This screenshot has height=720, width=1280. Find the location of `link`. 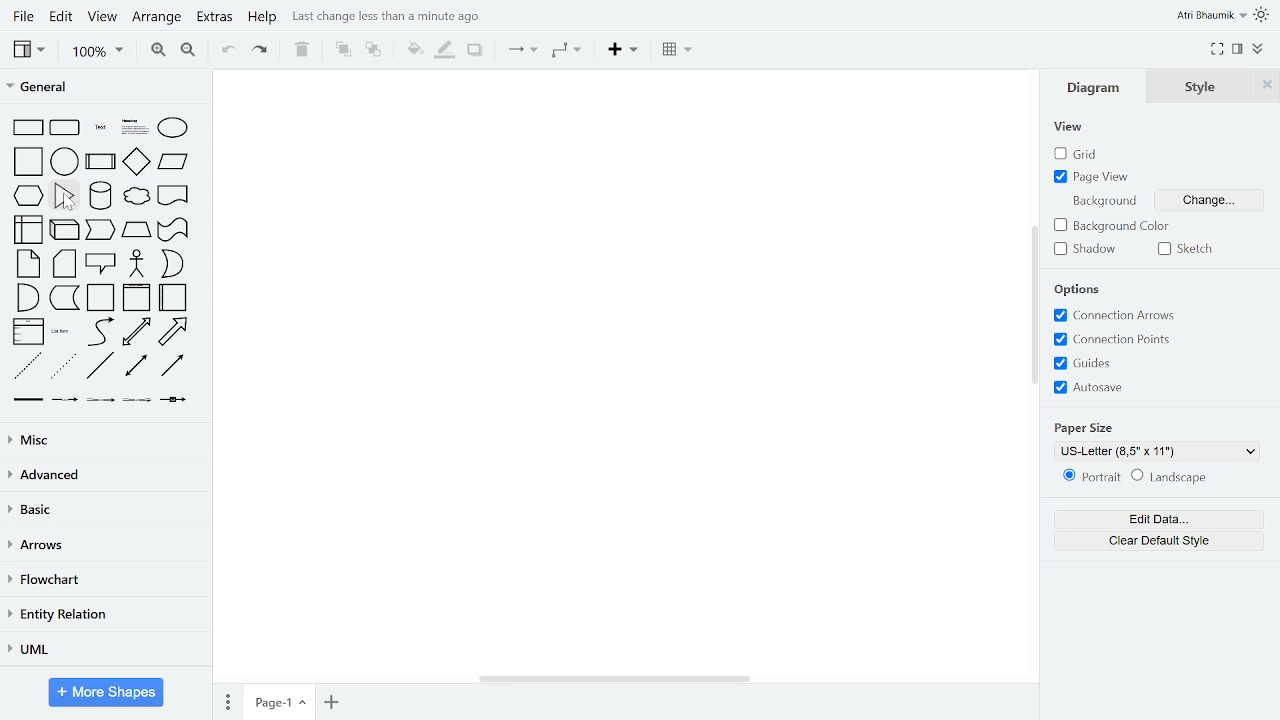

link is located at coordinates (27, 402).